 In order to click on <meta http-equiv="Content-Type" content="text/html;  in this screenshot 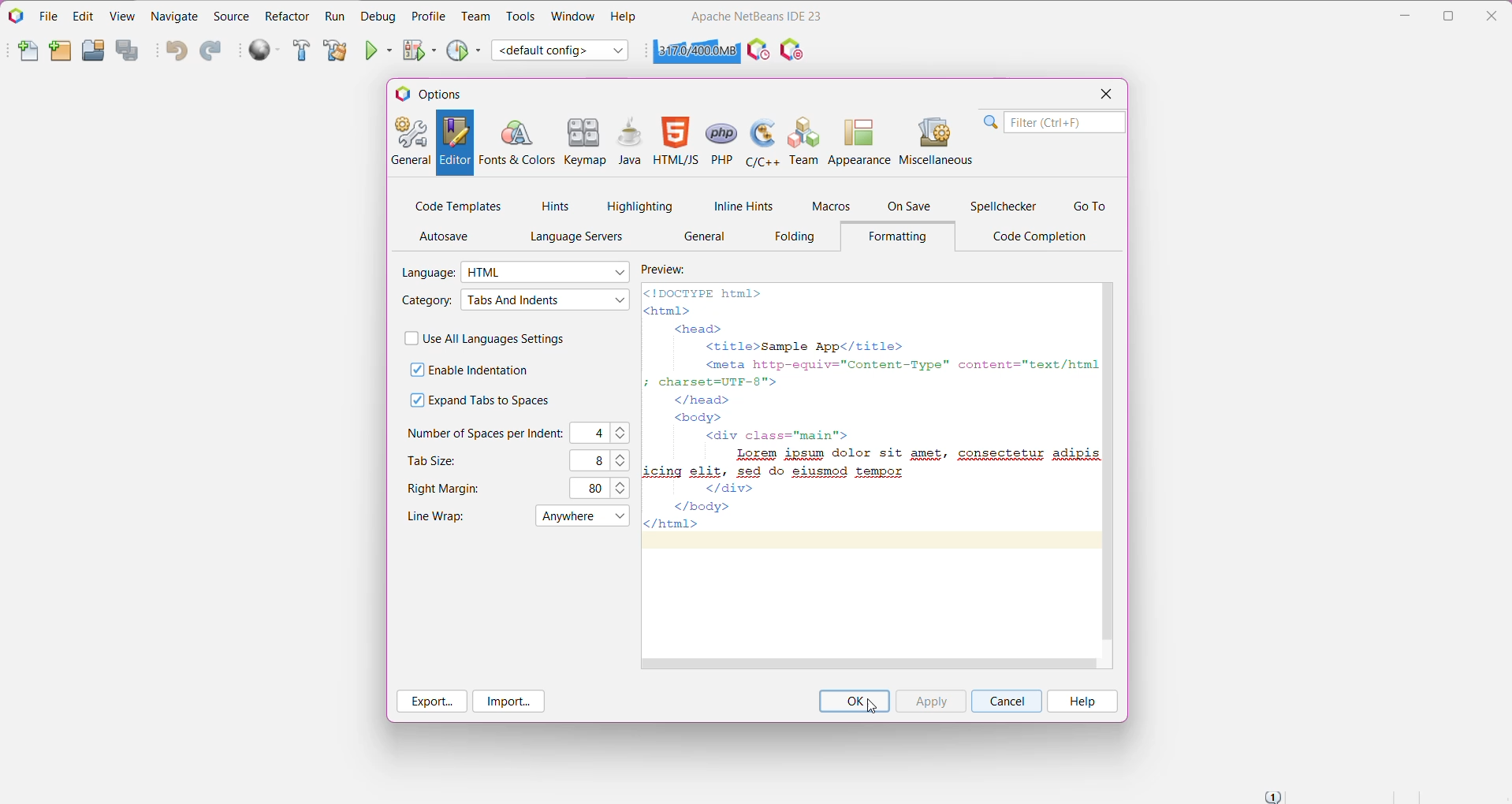, I will do `click(903, 364)`.